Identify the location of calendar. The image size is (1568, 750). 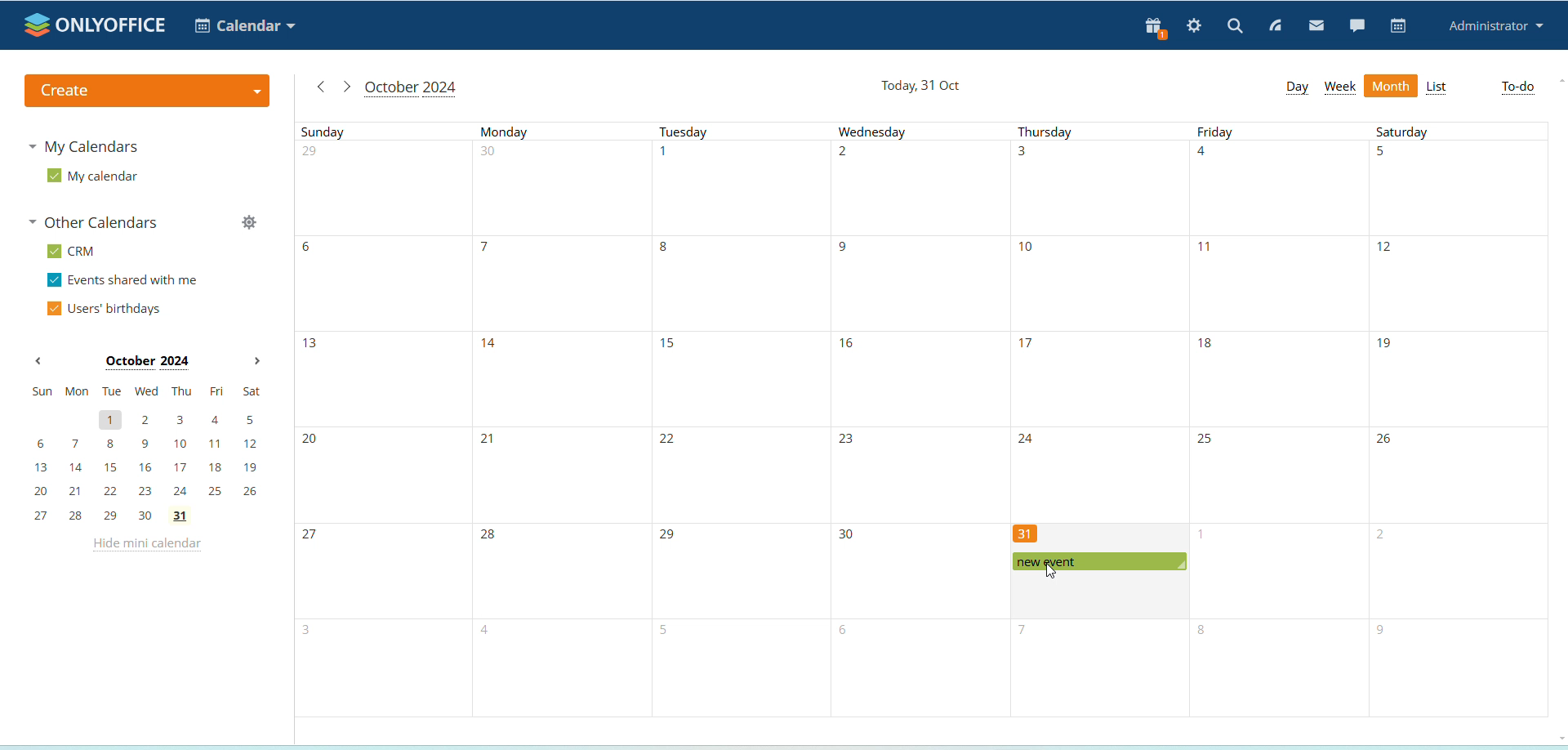
(1399, 26).